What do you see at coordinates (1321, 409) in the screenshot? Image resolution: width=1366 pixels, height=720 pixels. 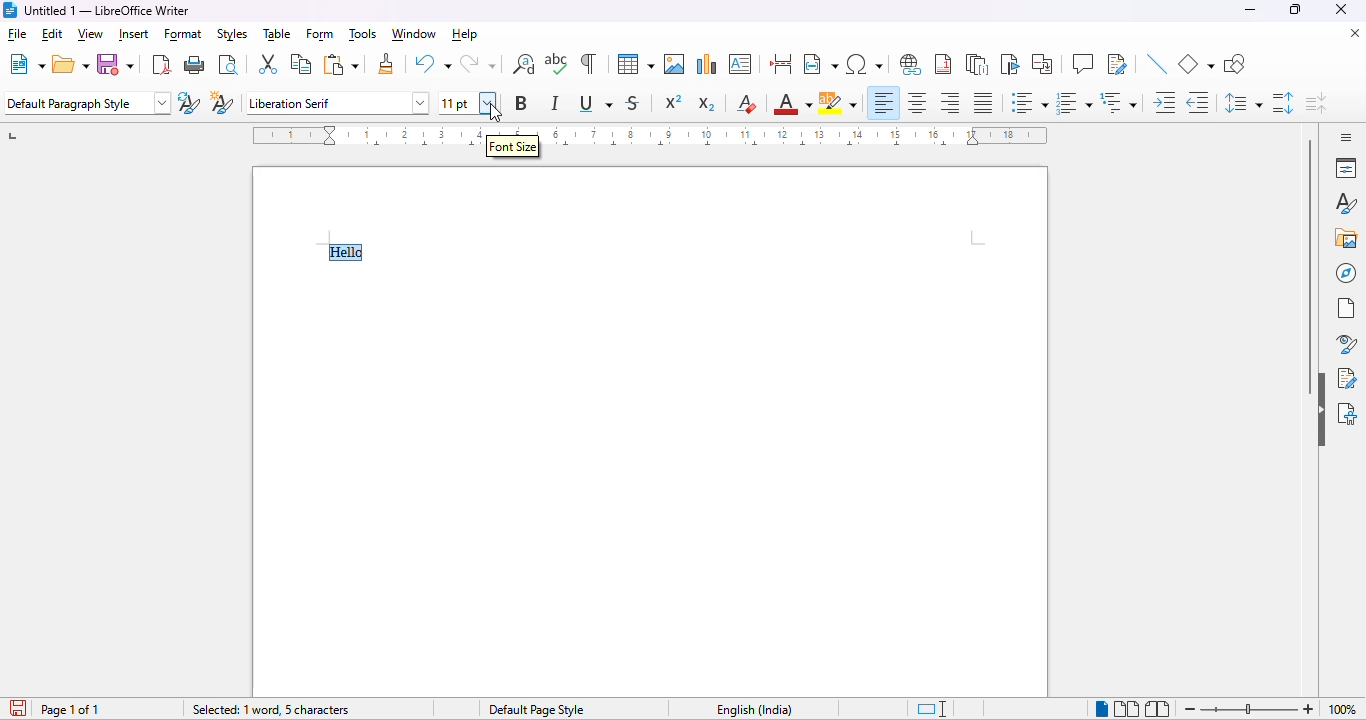 I see `hide` at bounding box center [1321, 409].